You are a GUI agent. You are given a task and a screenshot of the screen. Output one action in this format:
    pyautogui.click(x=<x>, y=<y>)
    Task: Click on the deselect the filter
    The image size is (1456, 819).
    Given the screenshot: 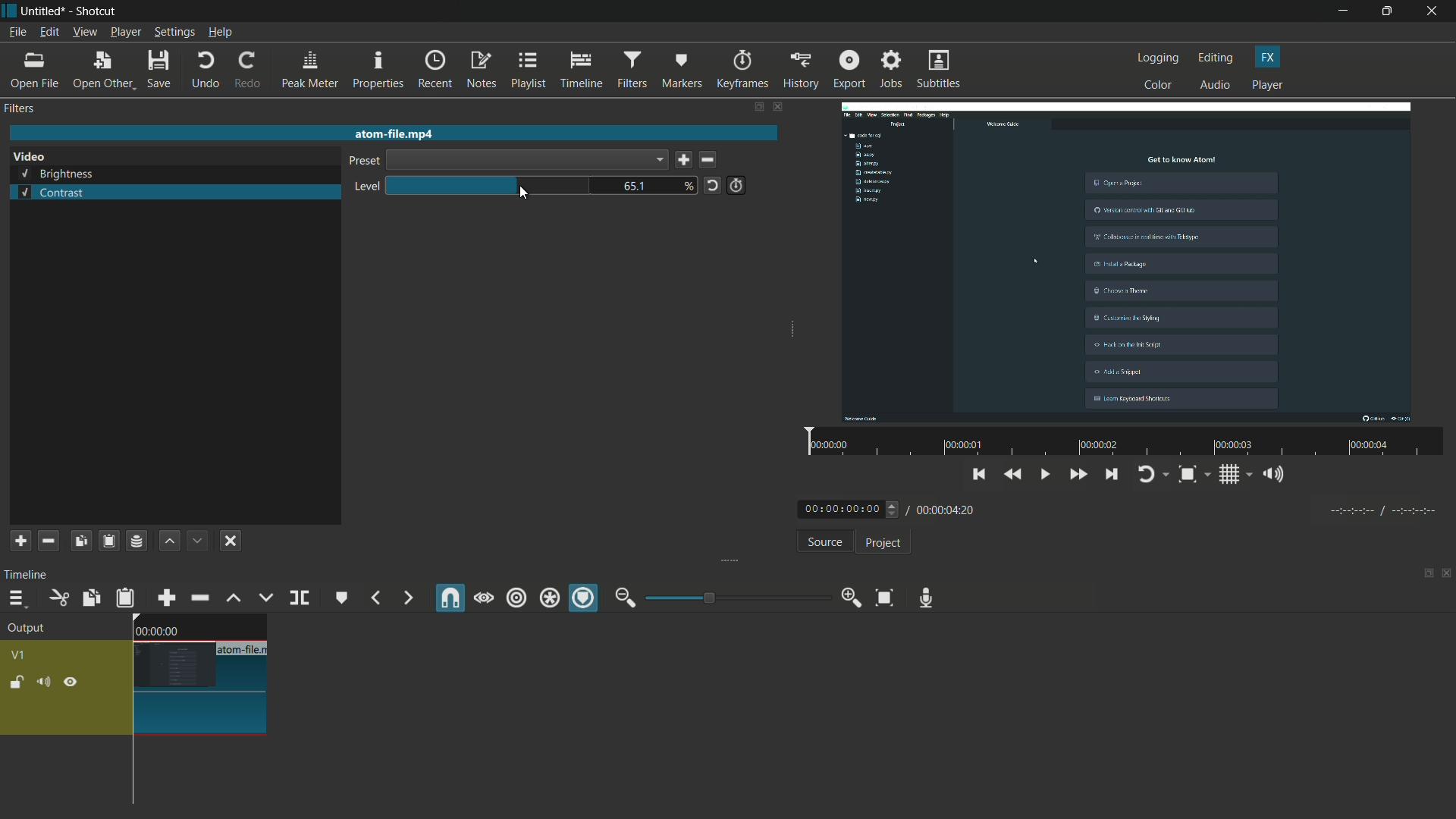 What is the action you would take?
    pyautogui.click(x=231, y=541)
    